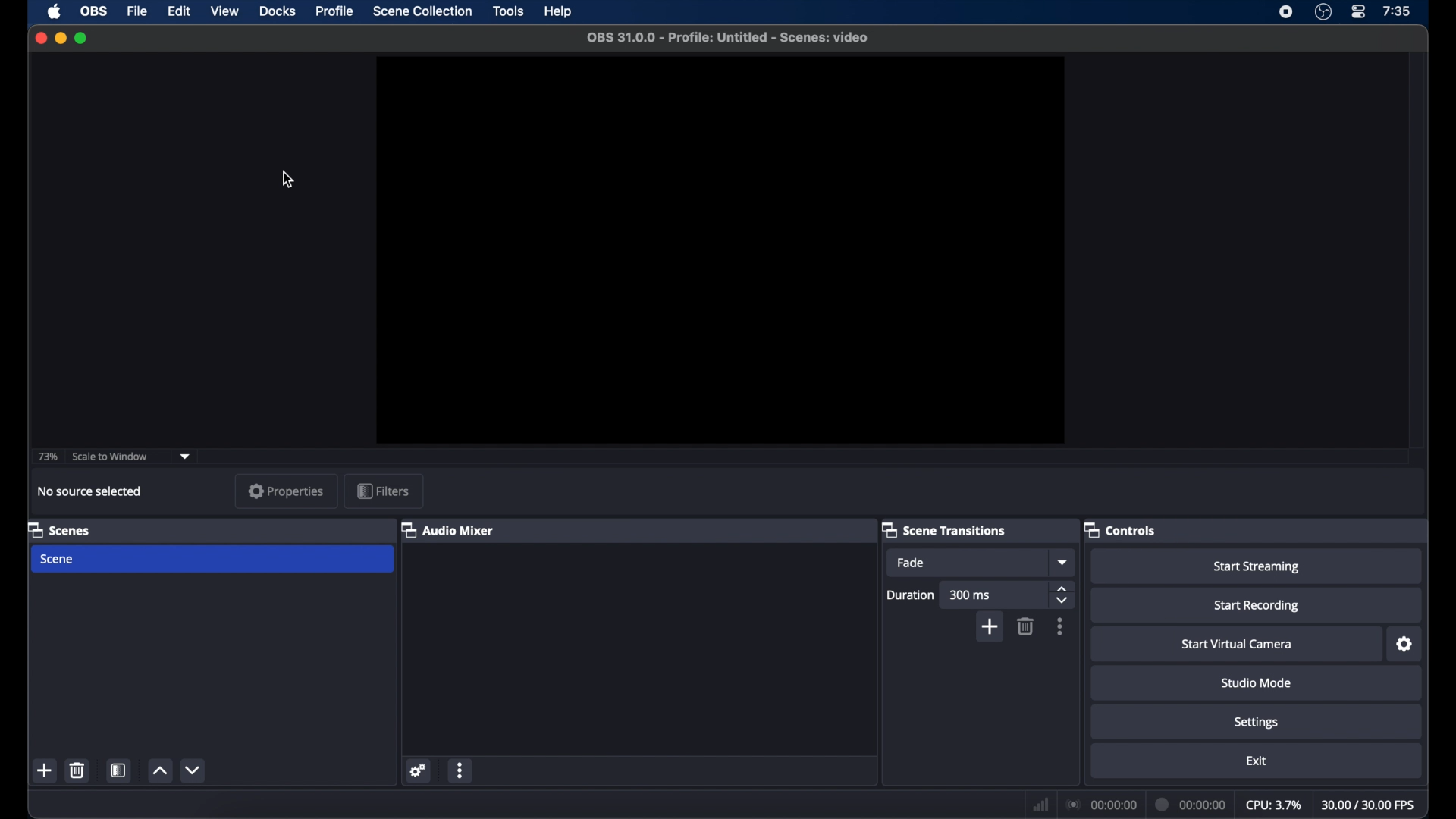 The image size is (1456, 819). What do you see at coordinates (333, 10) in the screenshot?
I see `profile` at bounding box center [333, 10].